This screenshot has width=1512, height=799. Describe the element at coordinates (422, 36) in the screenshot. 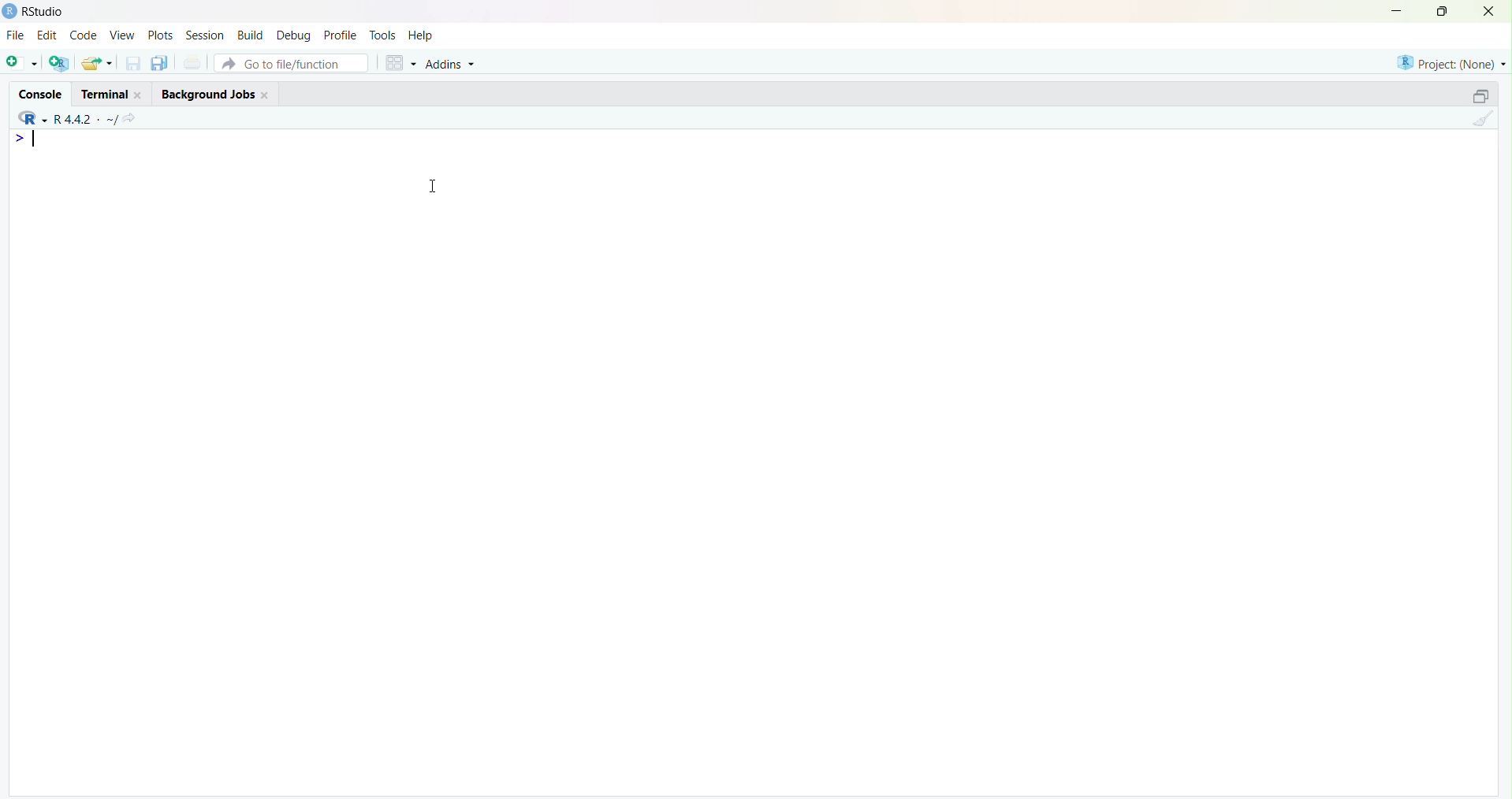

I see `Help` at that location.